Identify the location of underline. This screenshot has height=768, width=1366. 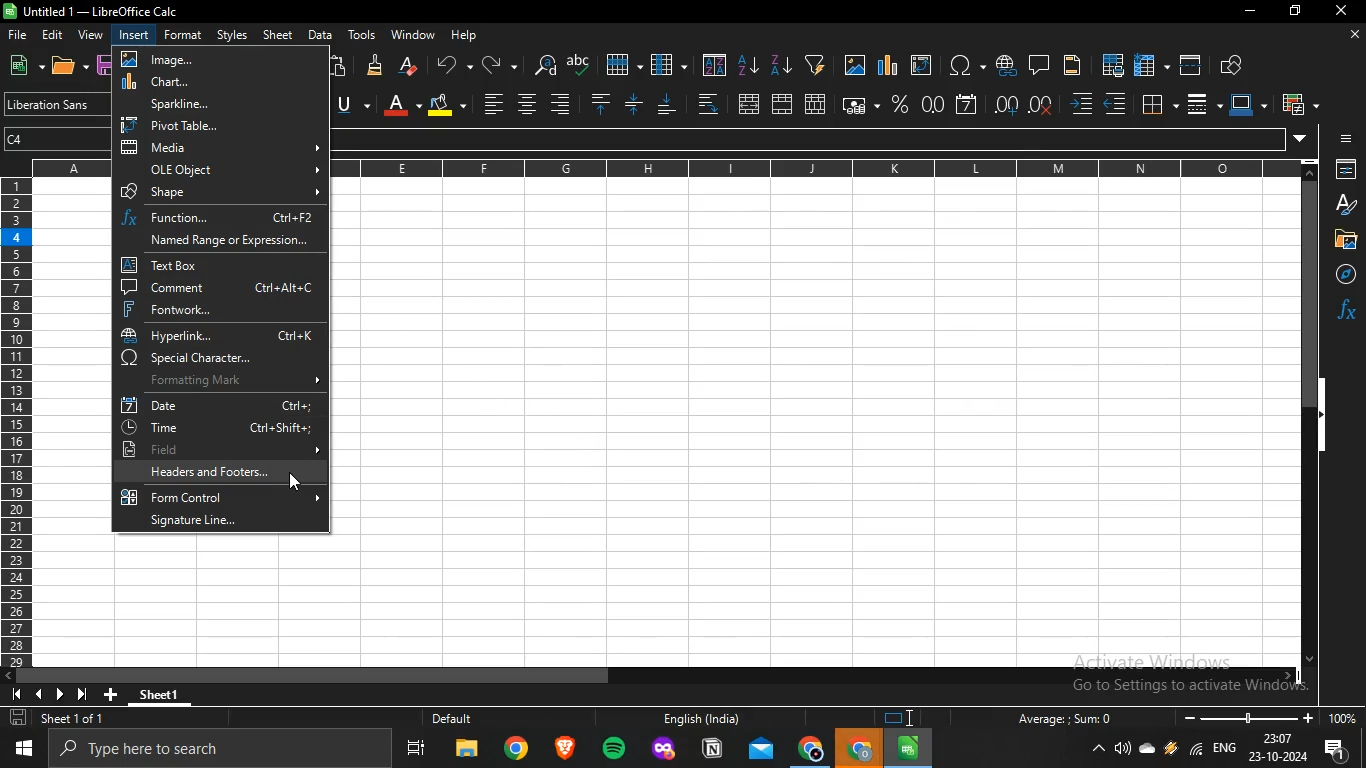
(345, 105).